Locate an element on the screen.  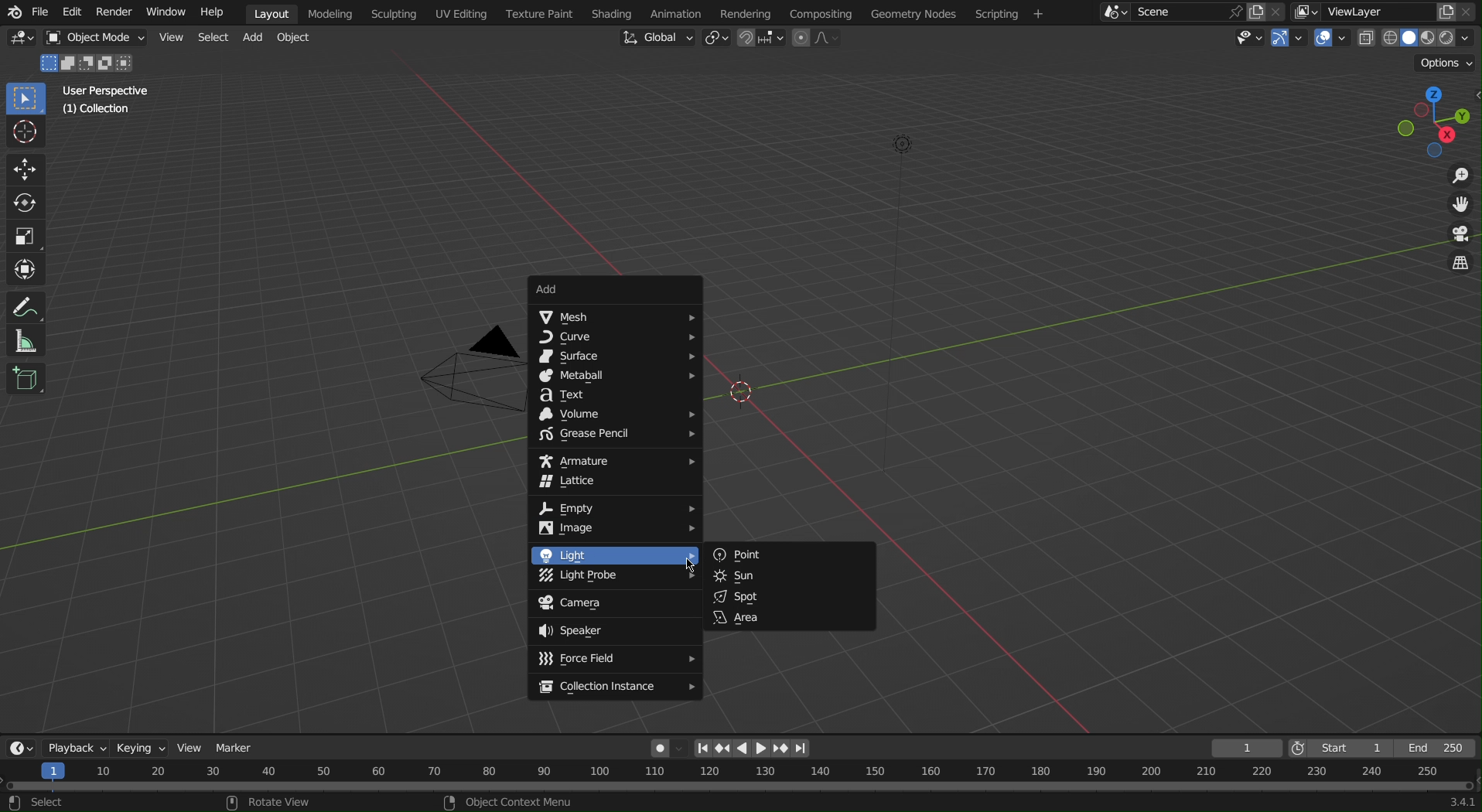
Transform Pivot Point is located at coordinates (716, 39).